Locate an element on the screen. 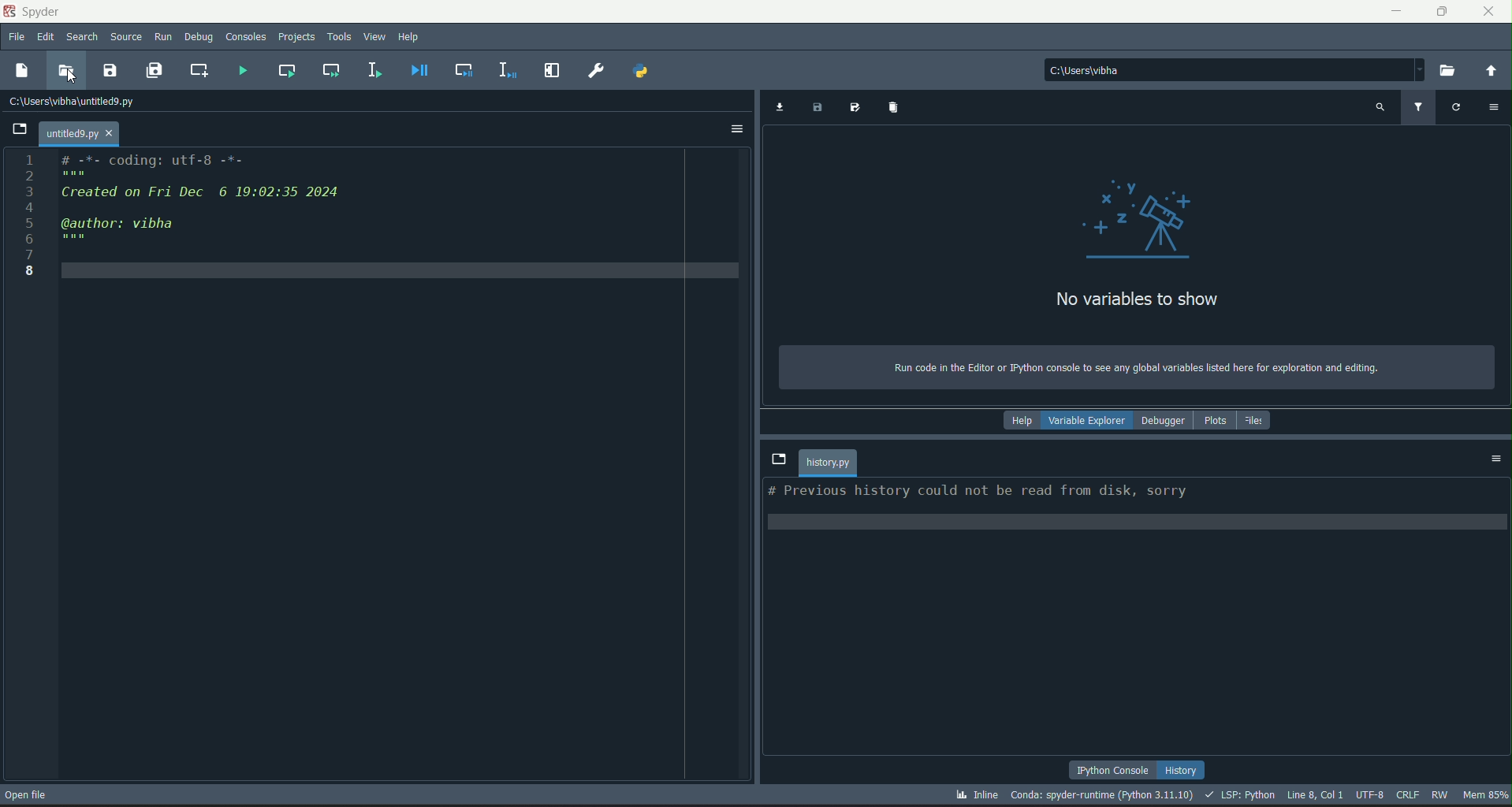 This screenshot has width=1512, height=807. new file is located at coordinates (24, 71).